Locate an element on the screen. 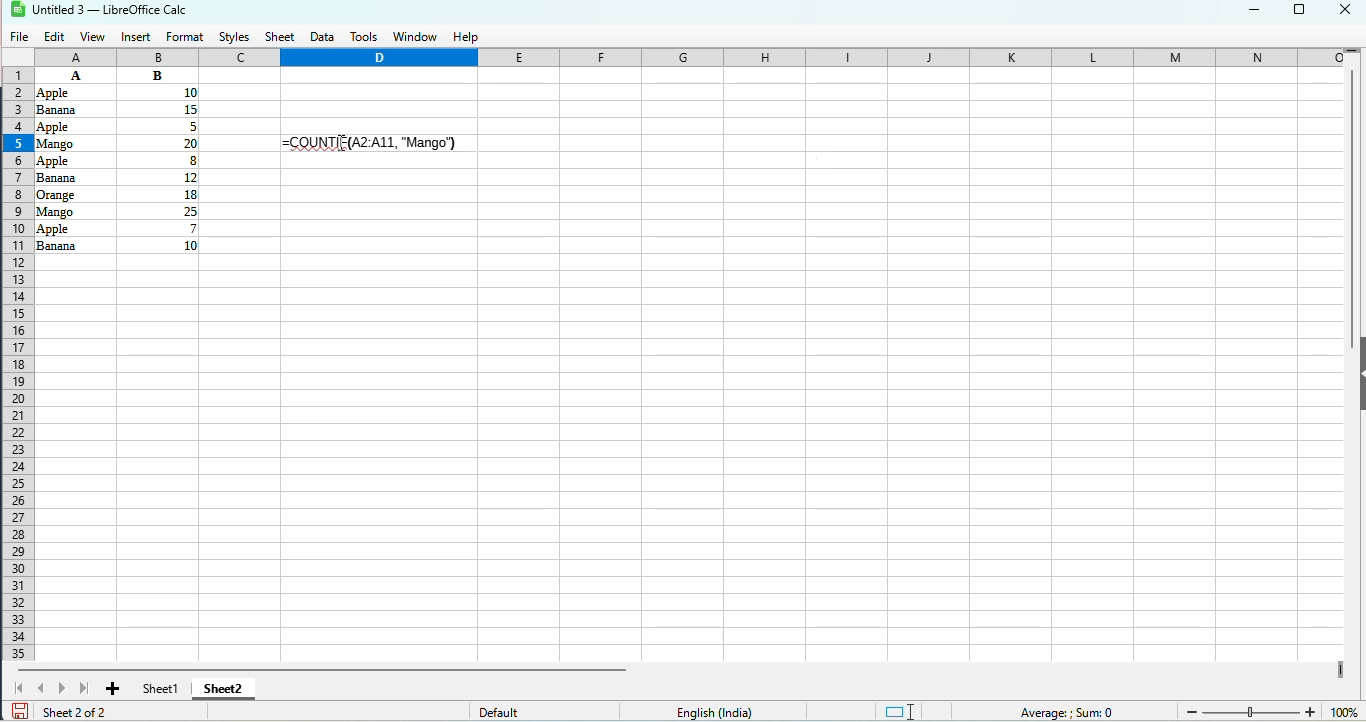 This screenshot has height=722, width=1366. sheet 2 of 2 is located at coordinates (73, 712).